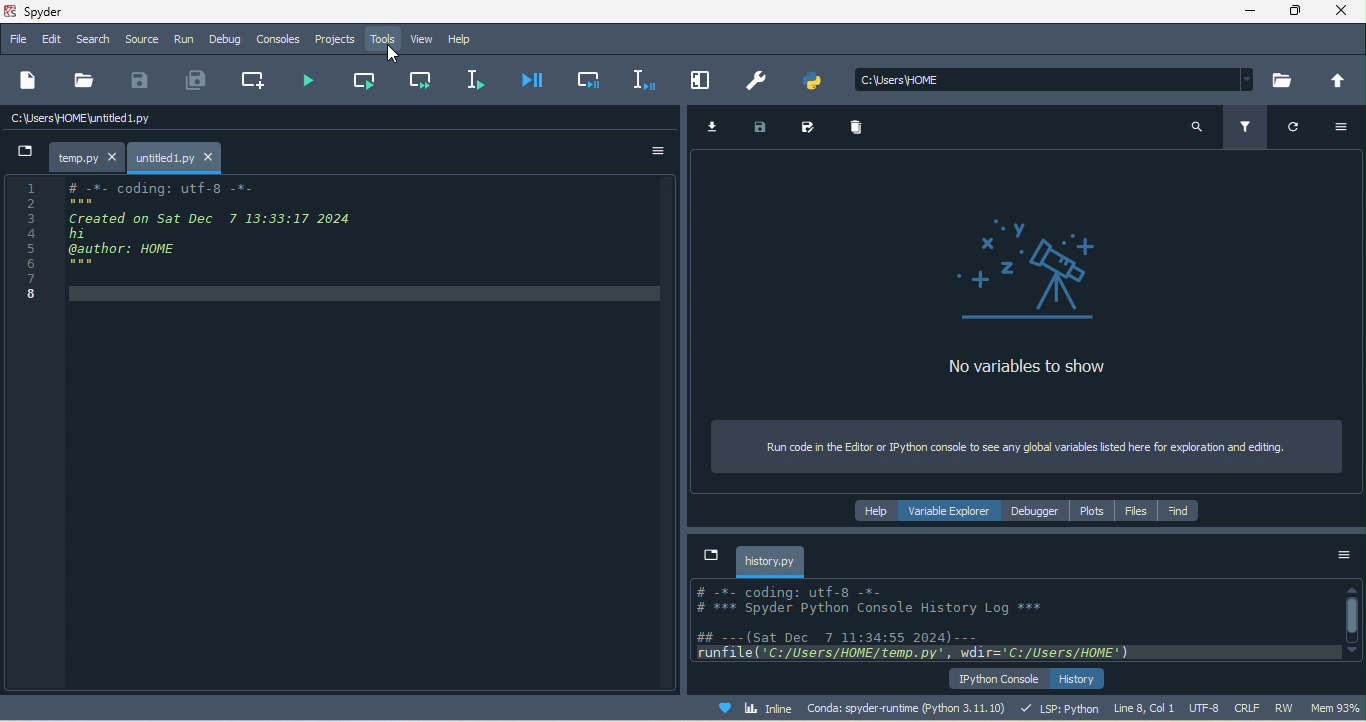 This screenshot has height=722, width=1366. Describe the element at coordinates (230, 38) in the screenshot. I see `debug` at that location.